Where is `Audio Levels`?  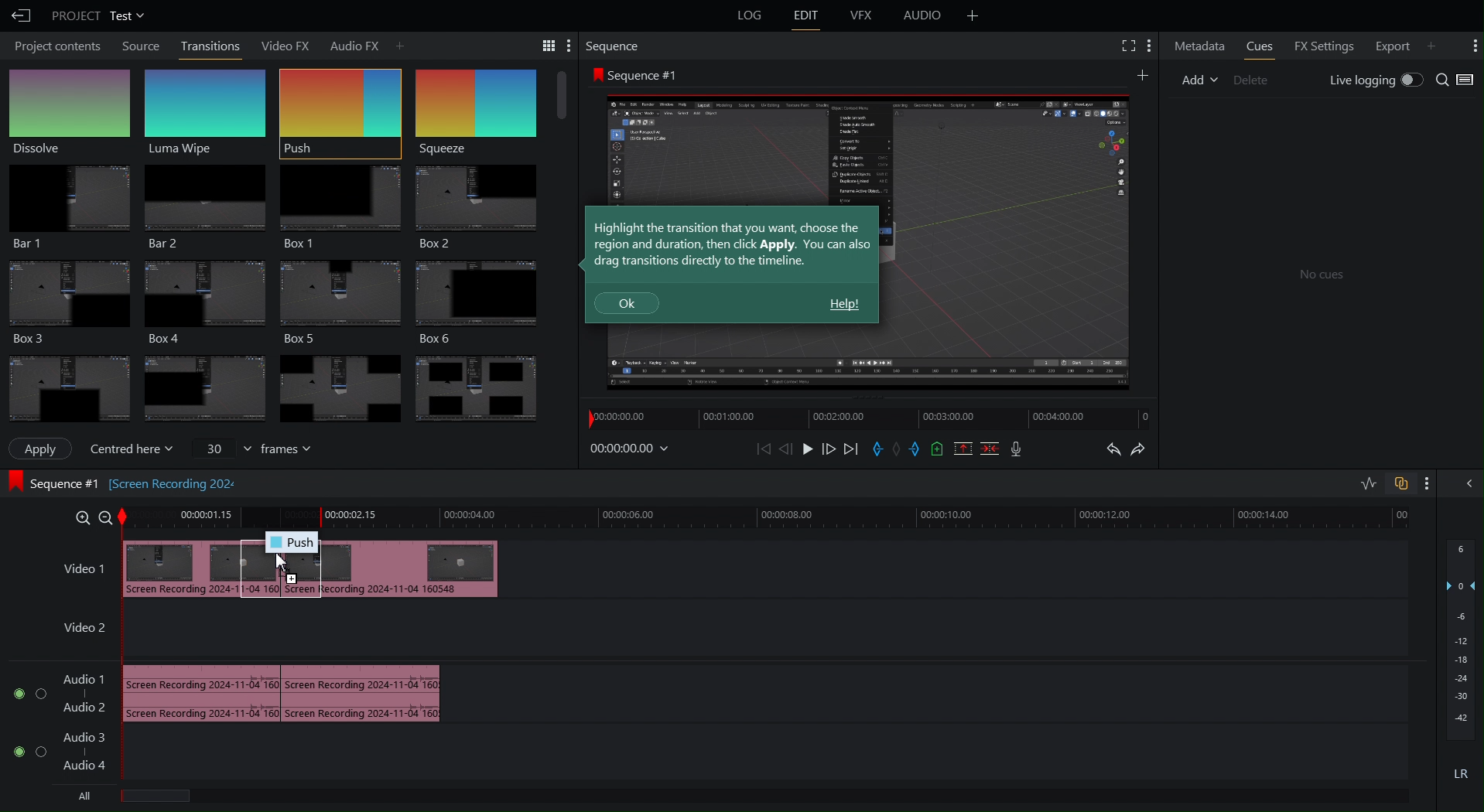
Audio Levels is located at coordinates (1462, 670).